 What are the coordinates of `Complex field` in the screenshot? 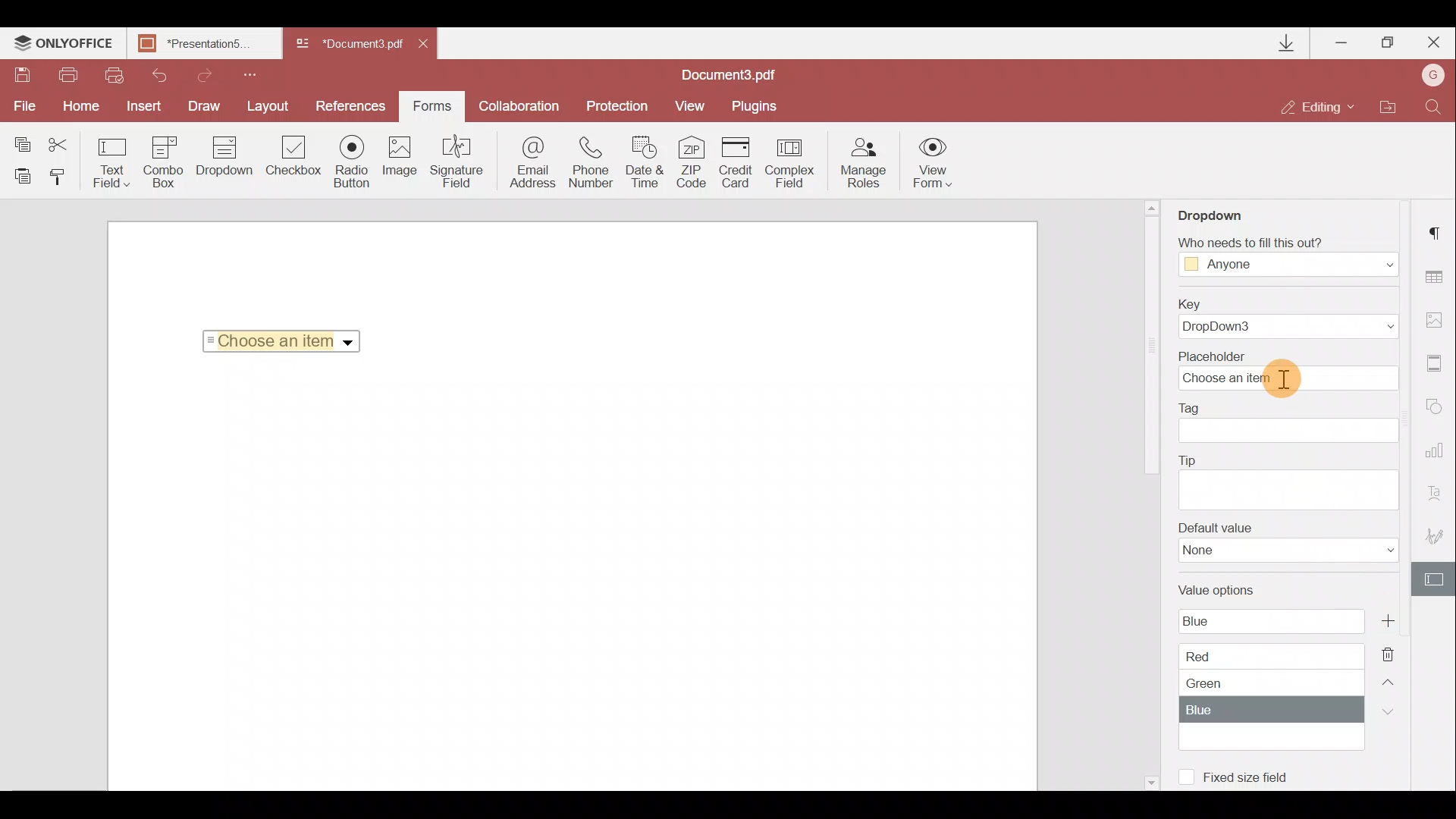 It's located at (791, 162).